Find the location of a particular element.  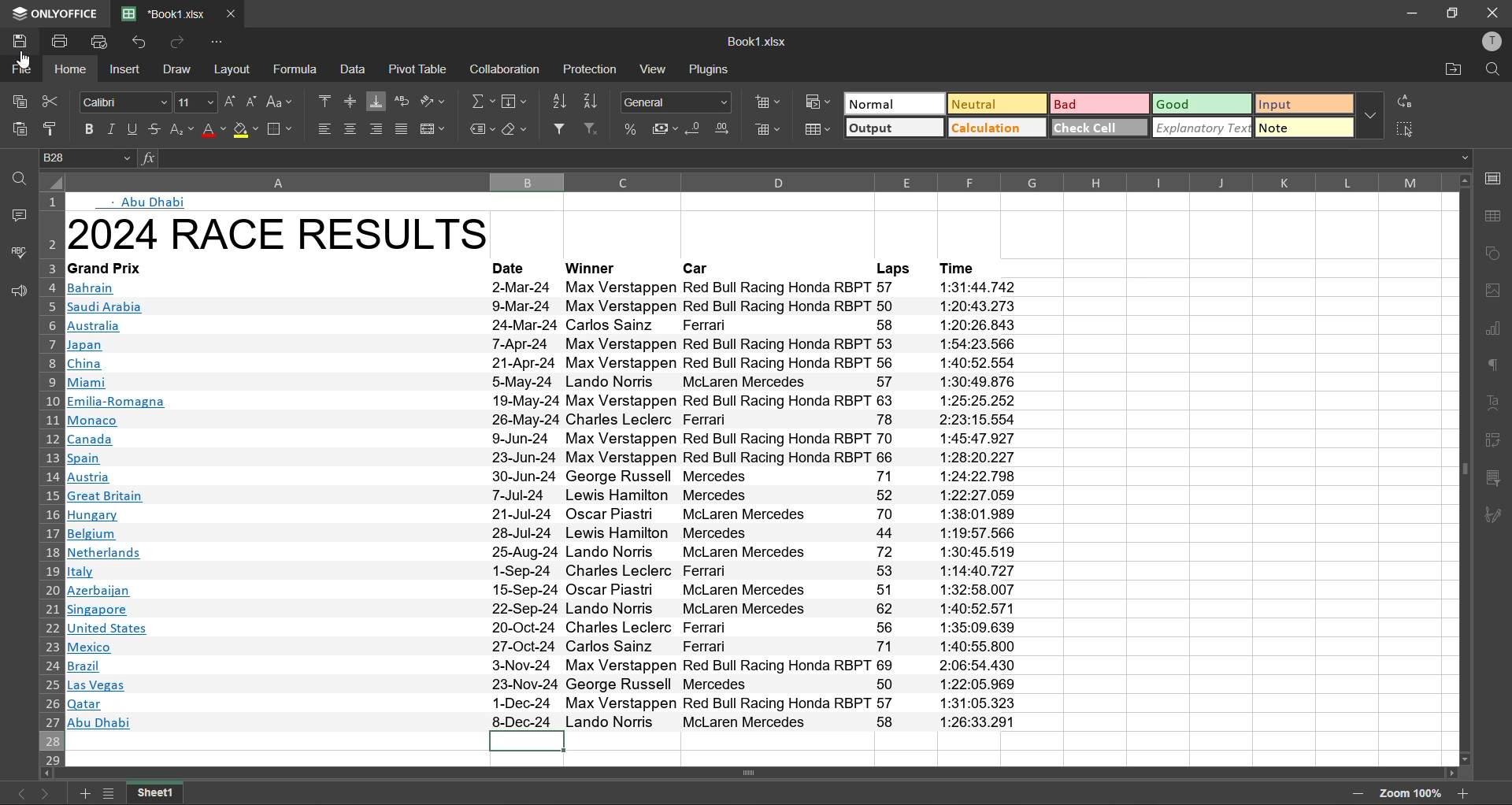

- Abu Dhabi is located at coordinates (155, 202).